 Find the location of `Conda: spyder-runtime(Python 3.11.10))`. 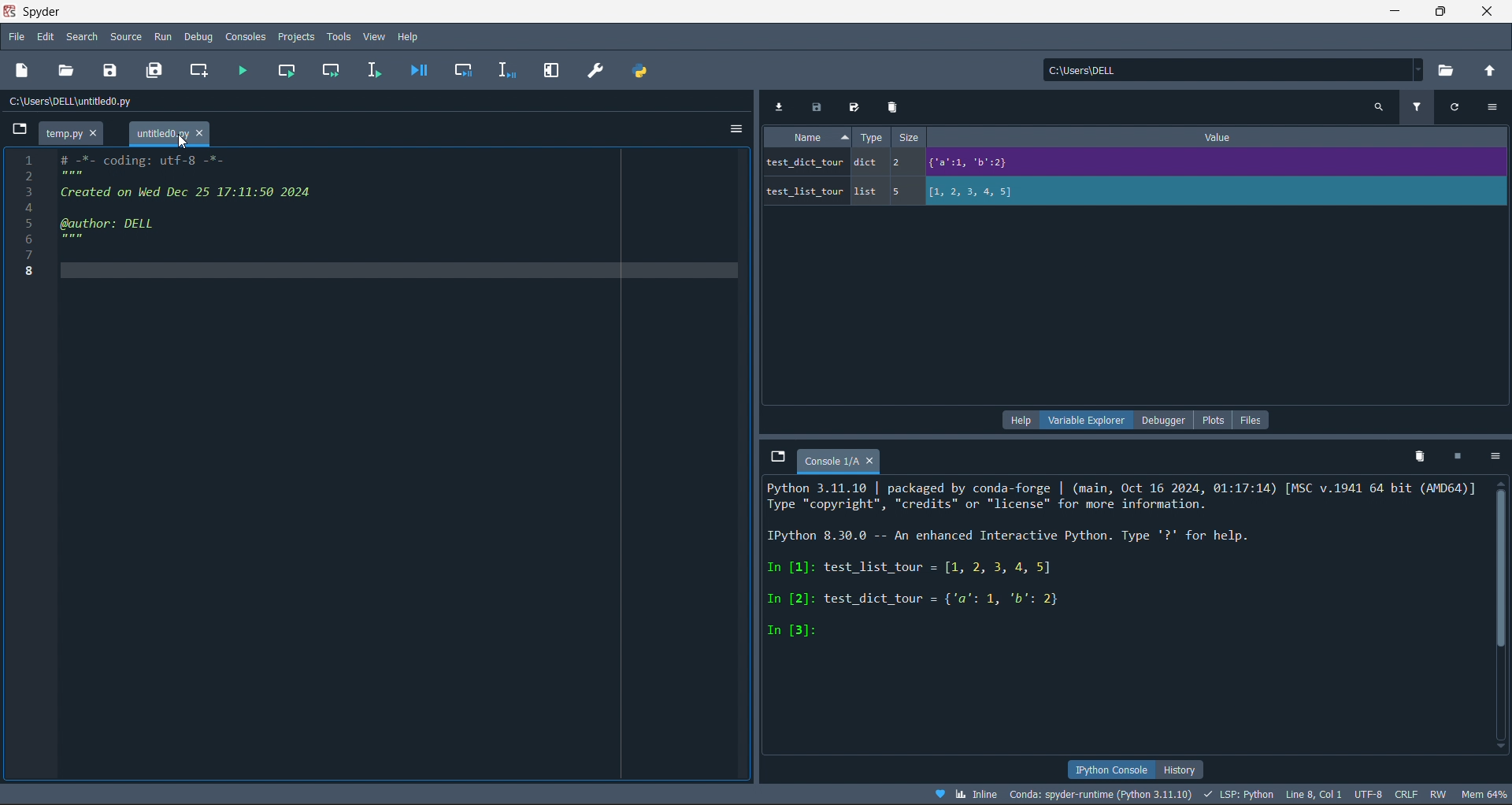

Conda: spyder-runtime(Python 3.11.10)) is located at coordinates (1101, 794).